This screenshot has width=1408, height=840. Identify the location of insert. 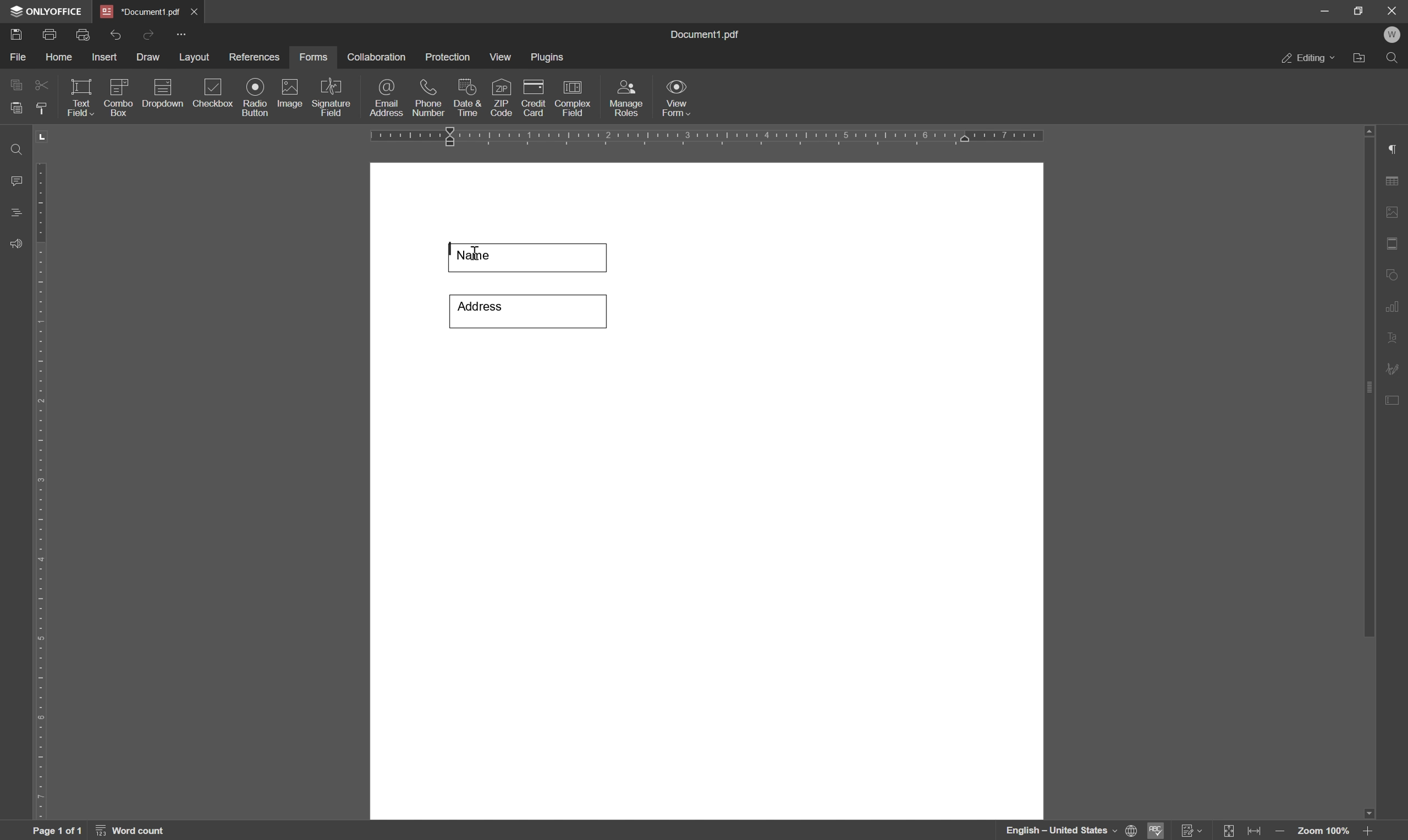
(104, 58).